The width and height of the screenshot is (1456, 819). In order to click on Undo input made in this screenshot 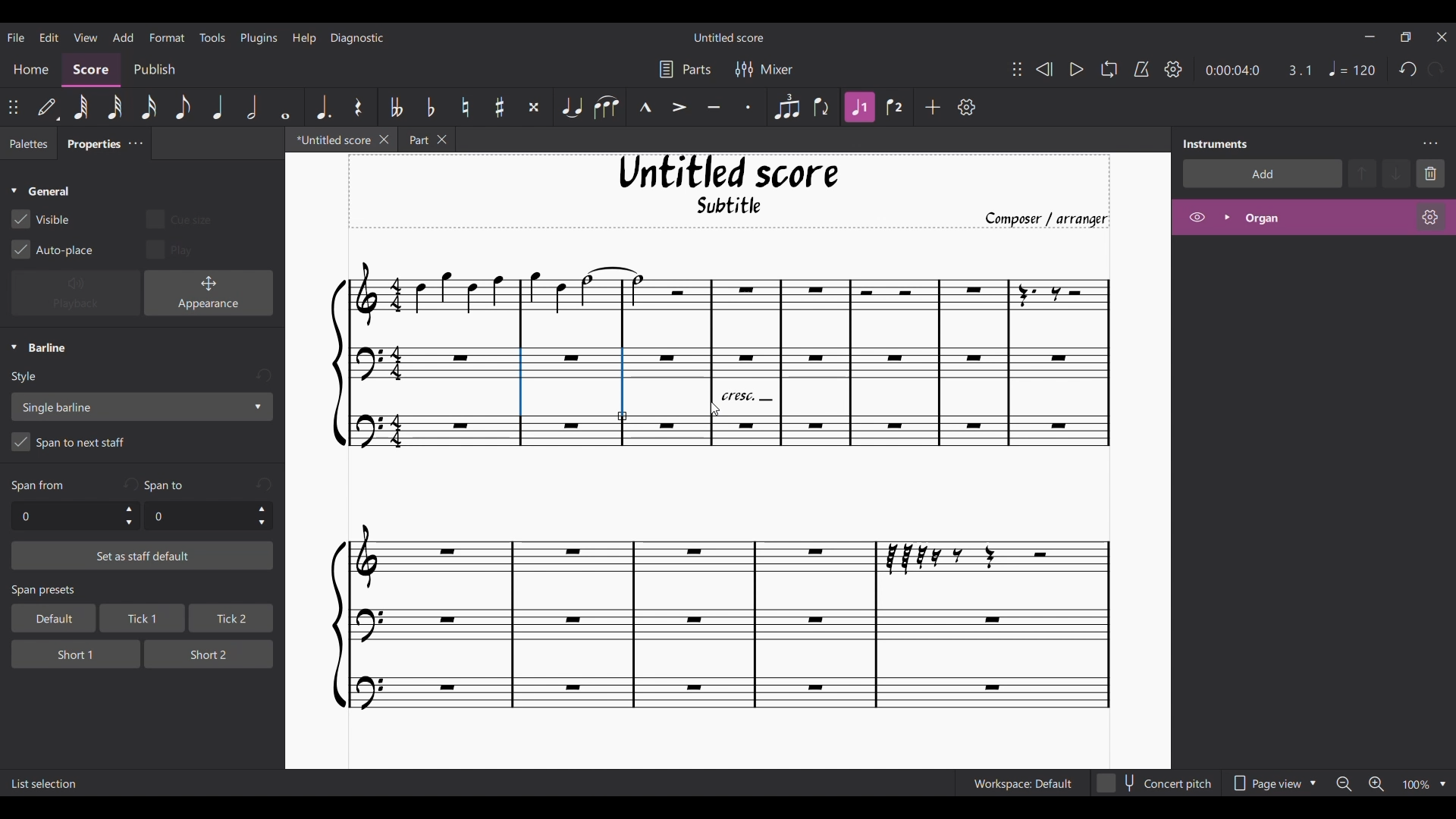, I will do `click(263, 376)`.